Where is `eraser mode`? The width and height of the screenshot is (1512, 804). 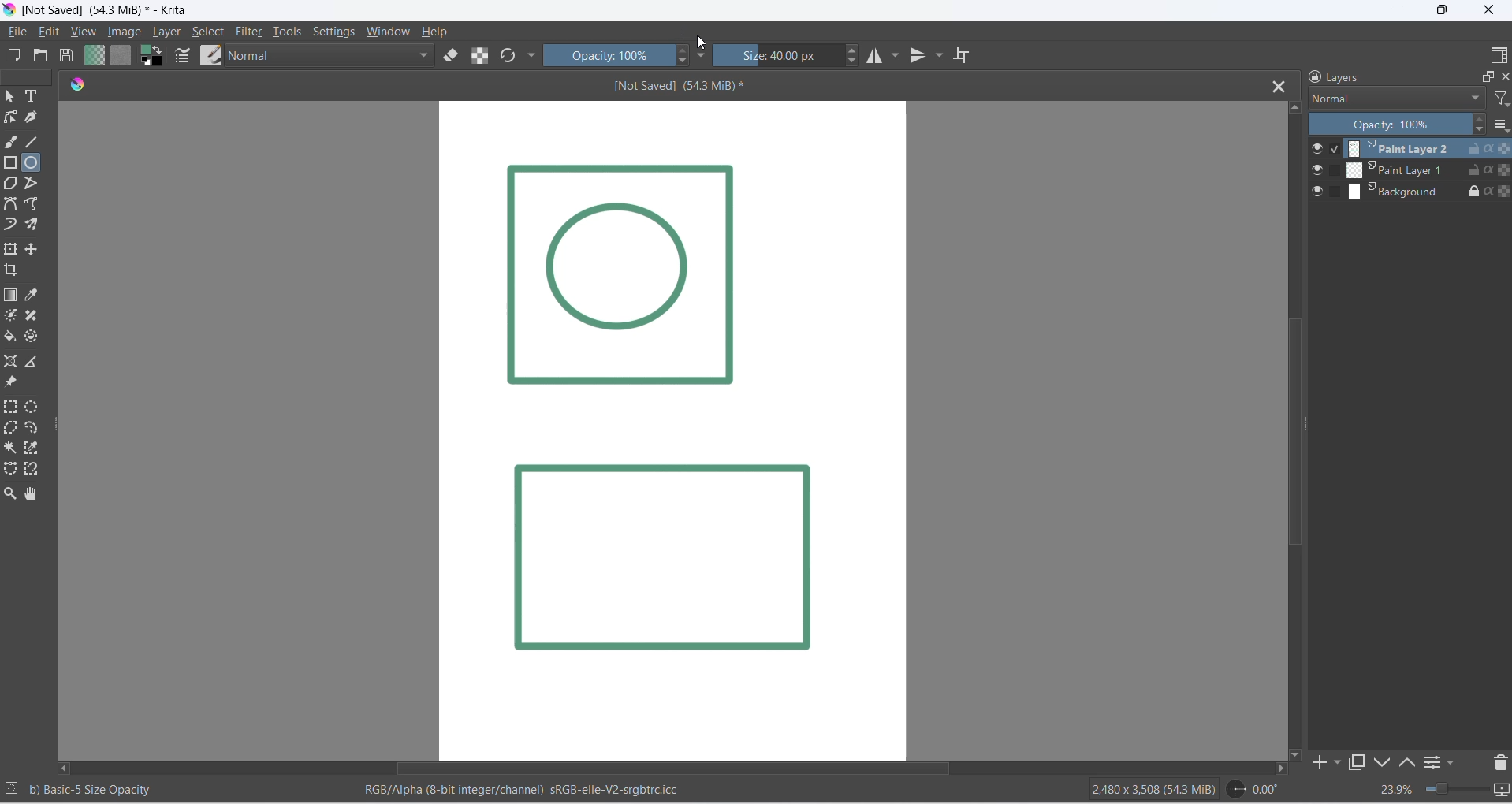 eraser mode is located at coordinates (452, 57).